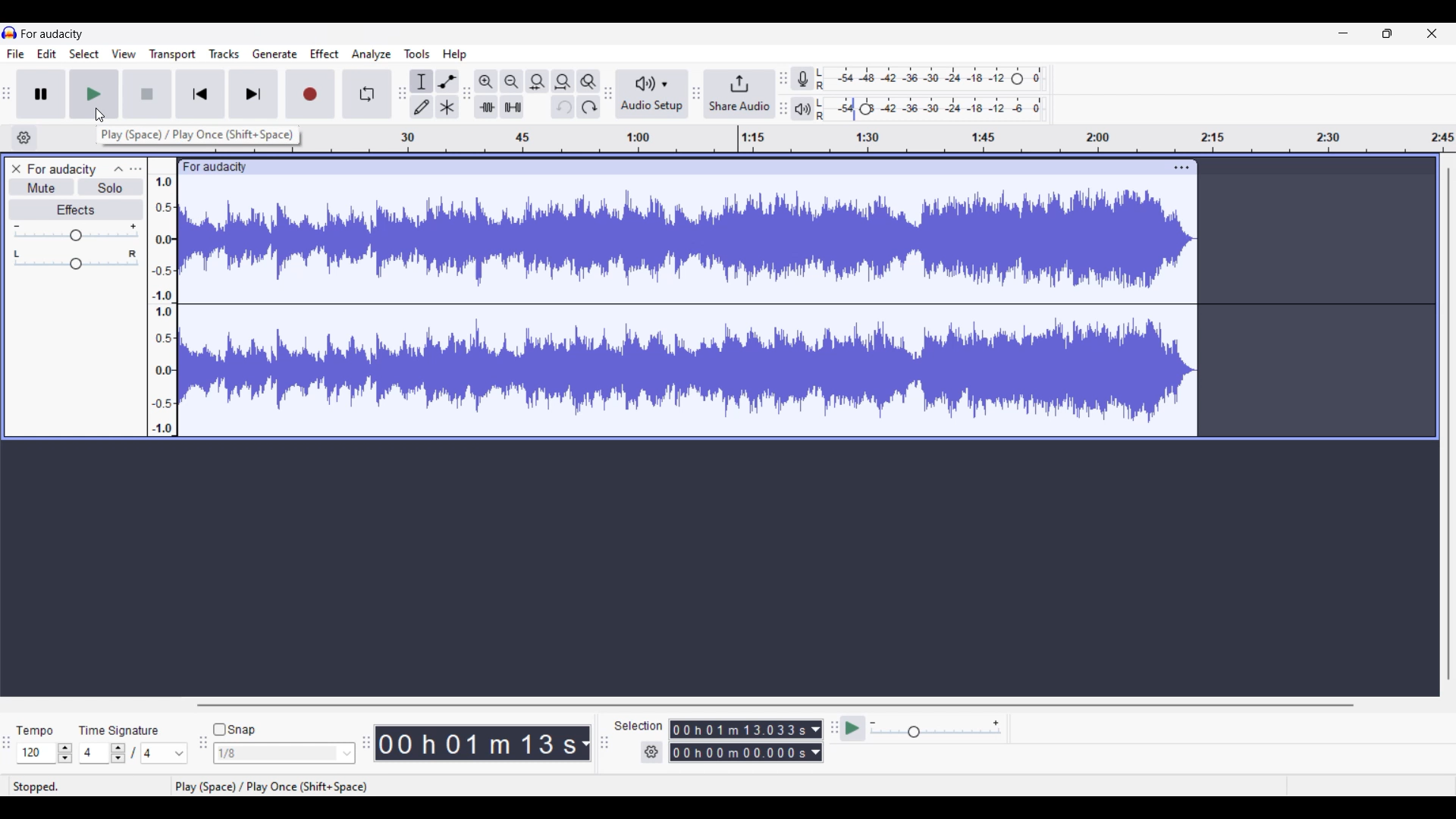 This screenshot has width=1456, height=819. What do you see at coordinates (689, 306) in the screenshot?
I see `Current track` at bounding box center [689, 306].